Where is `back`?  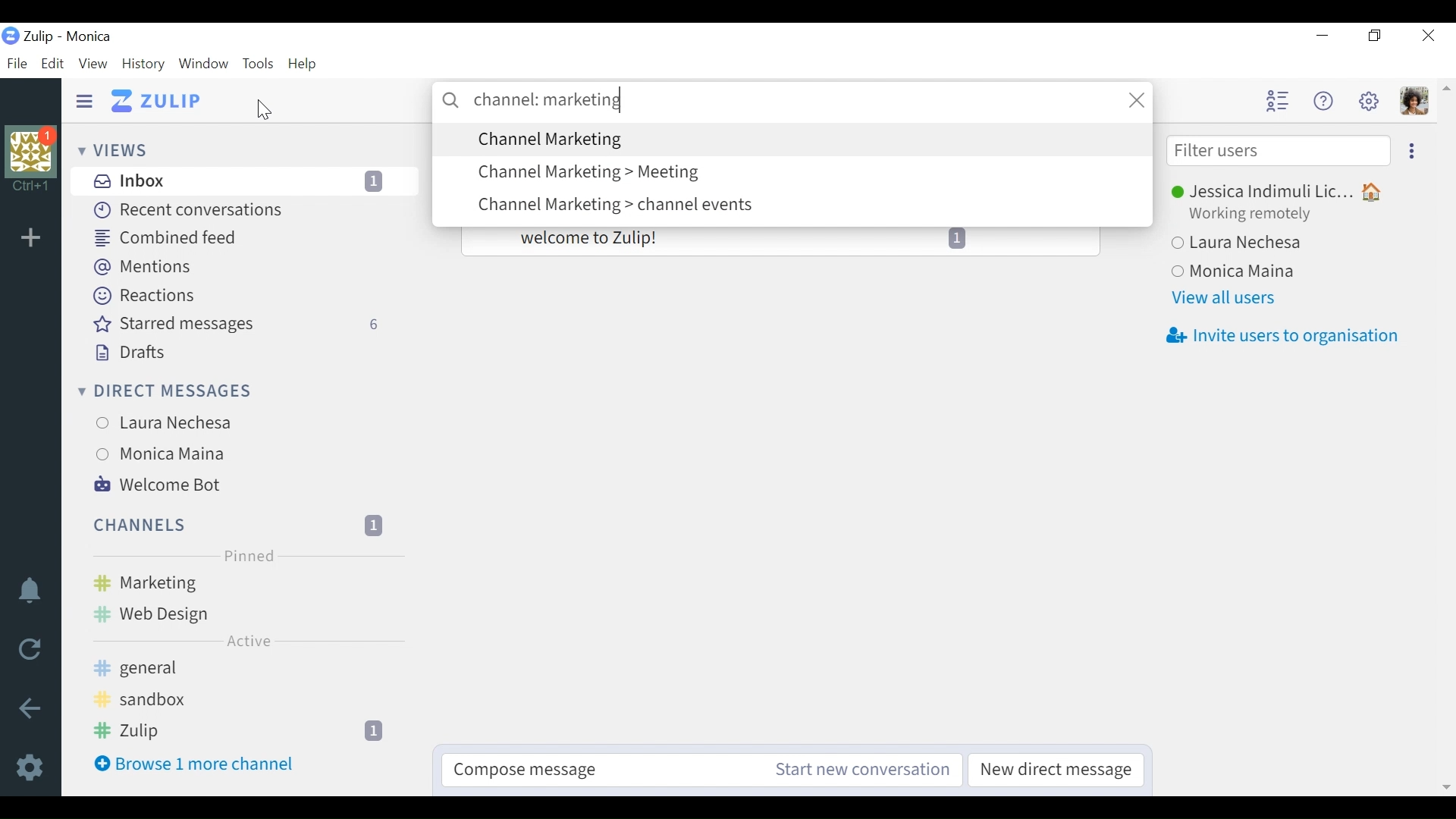 back is located at coordinates (33, 707).